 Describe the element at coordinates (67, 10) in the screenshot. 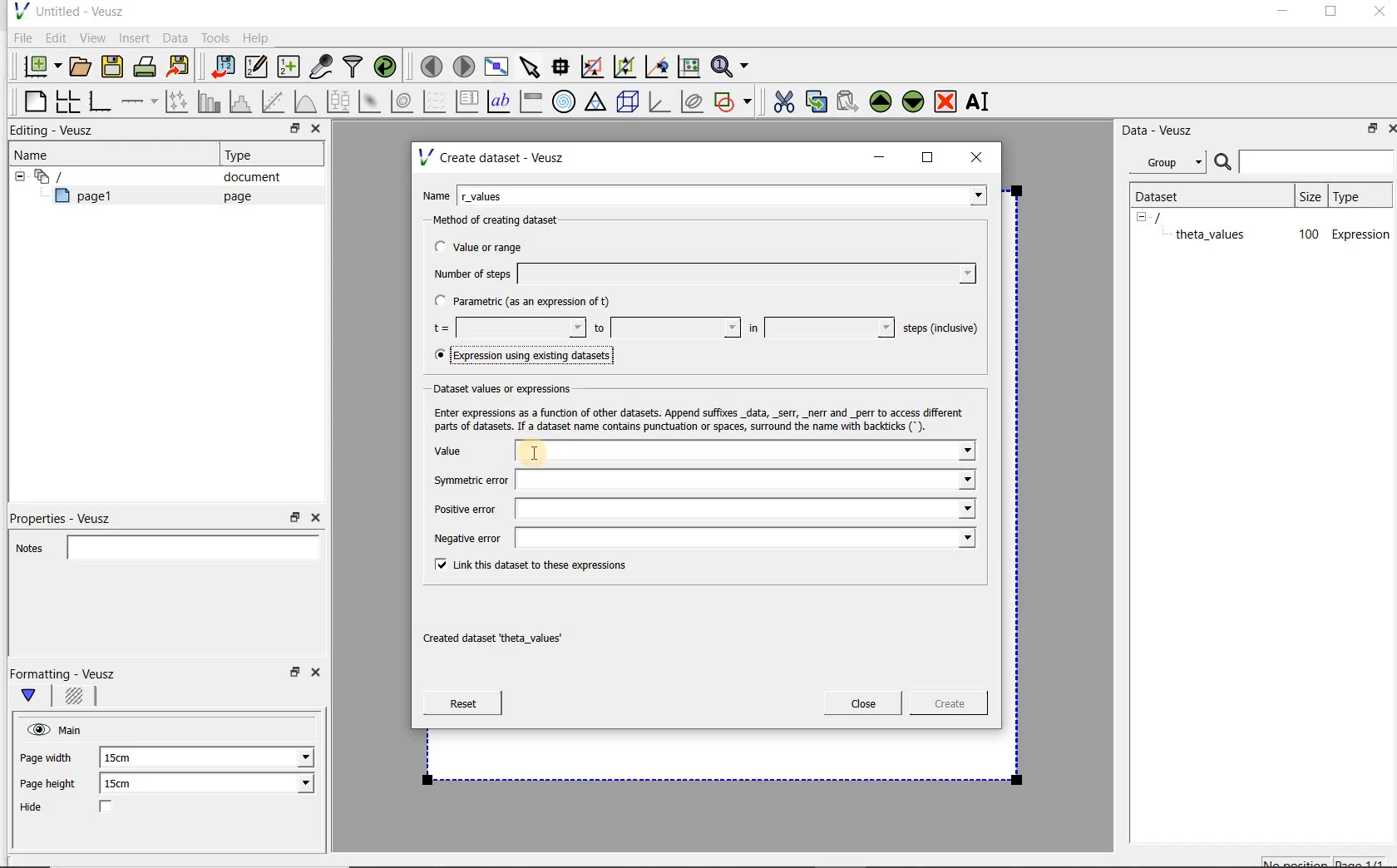

I see `Untitled - Veusz` at that location.